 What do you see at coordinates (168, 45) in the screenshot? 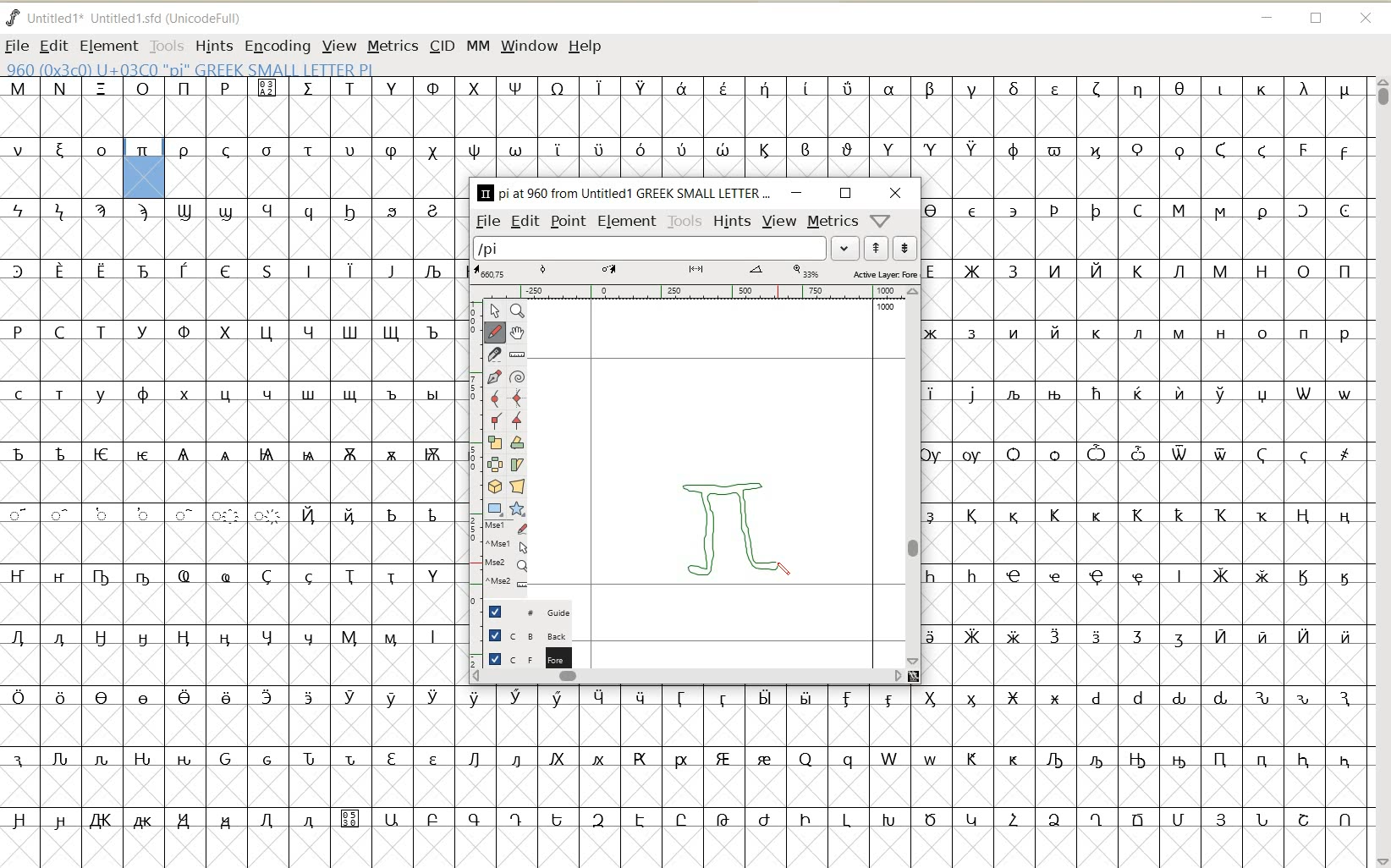
I see `TOOLS` at bounding box center [168, 45].